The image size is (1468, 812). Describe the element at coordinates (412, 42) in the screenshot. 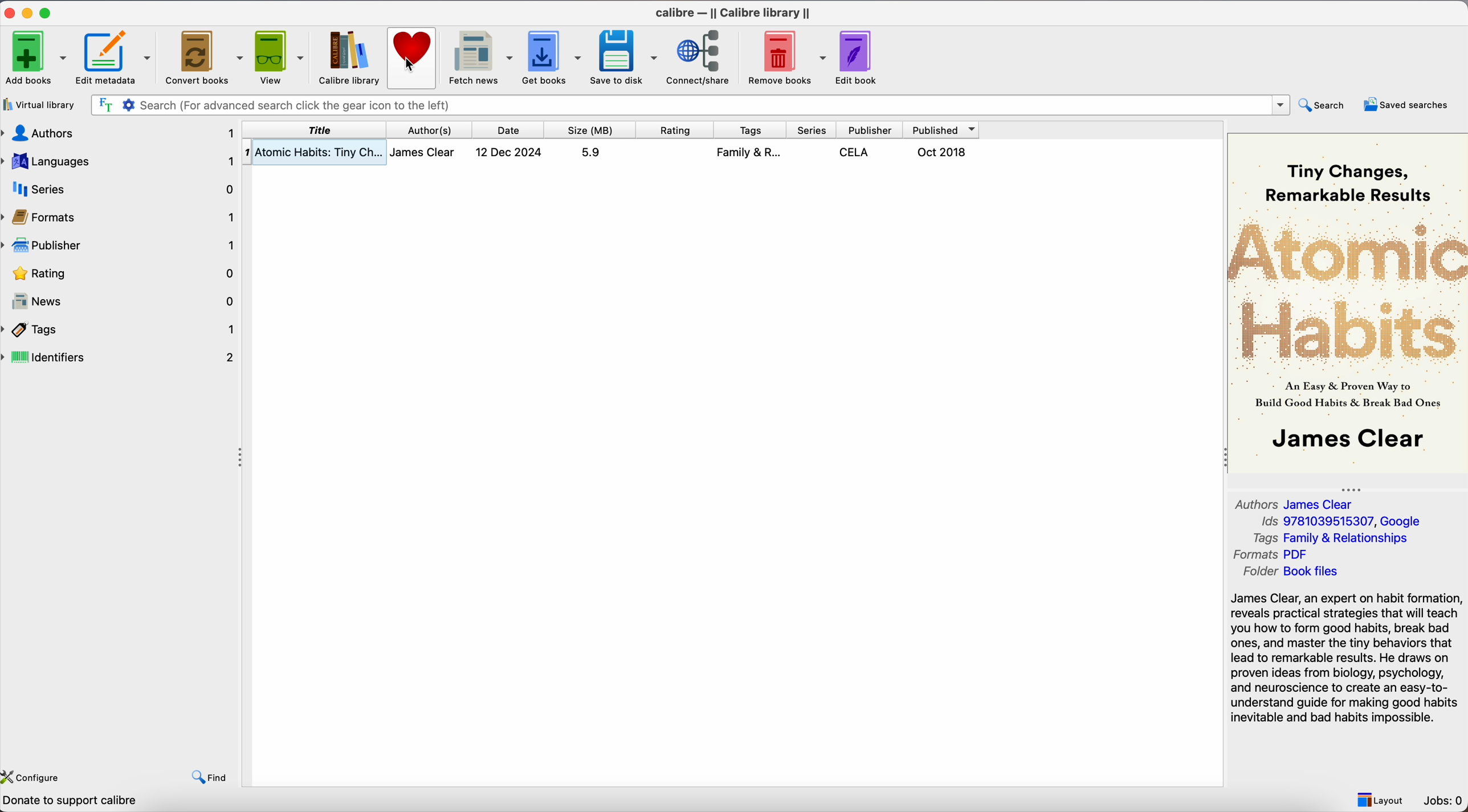

I see `Donate` at that location.